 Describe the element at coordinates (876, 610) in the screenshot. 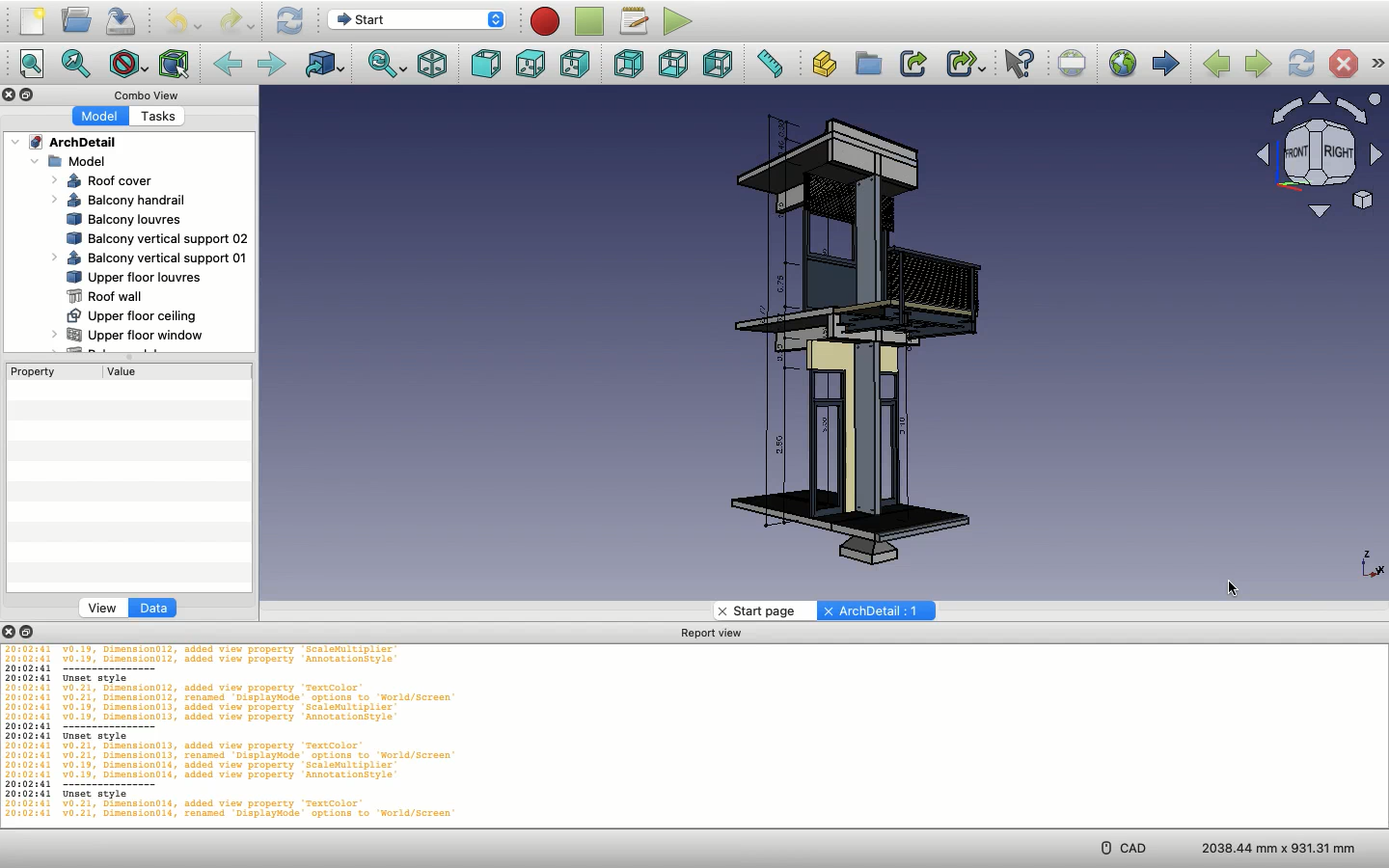

I see `ArchDetail:1` at that location.